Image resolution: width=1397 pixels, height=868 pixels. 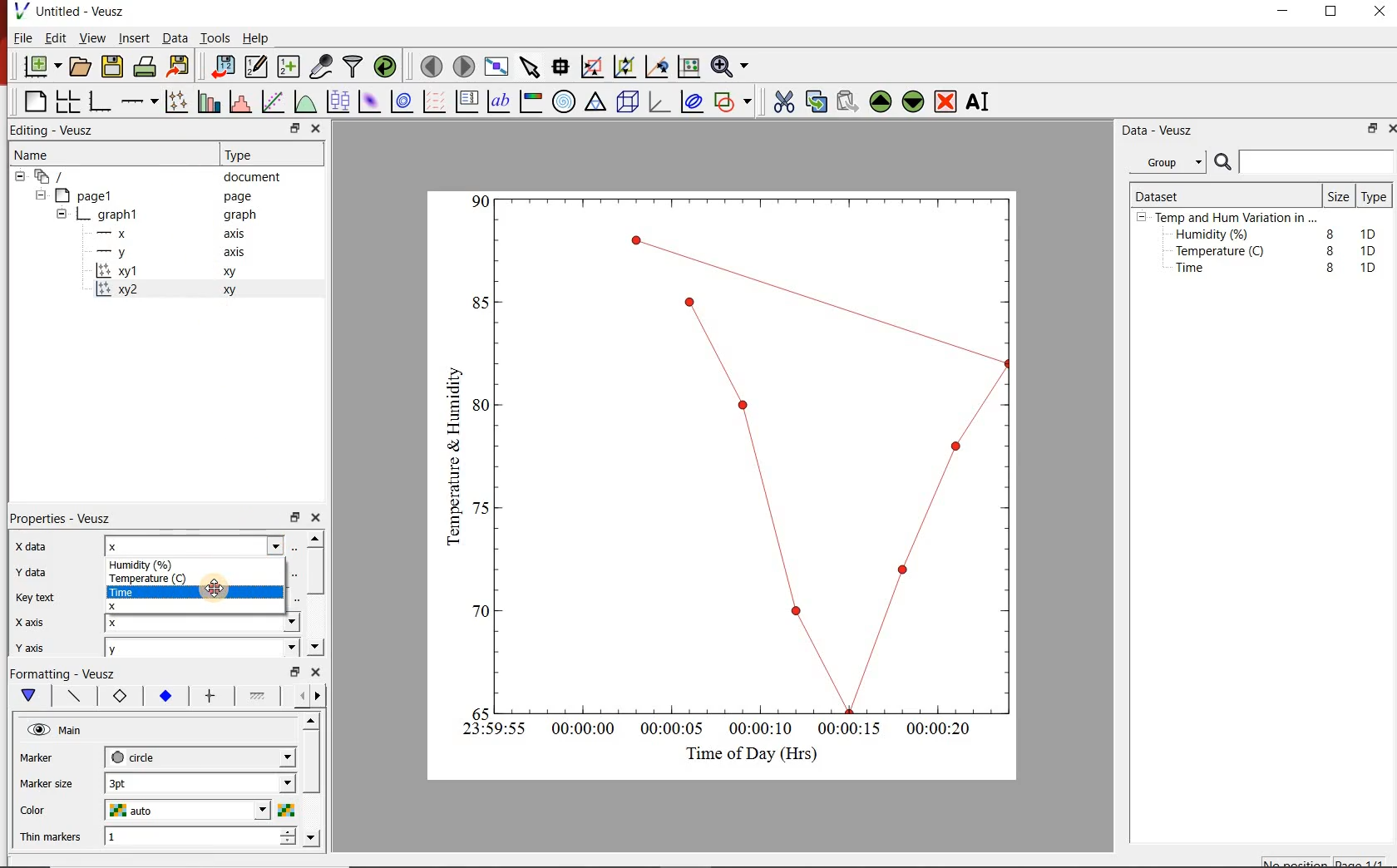 What do you see at coordinates (287, 846) in the screenshot?
I see `decrease` at bounding box center [287, 846].